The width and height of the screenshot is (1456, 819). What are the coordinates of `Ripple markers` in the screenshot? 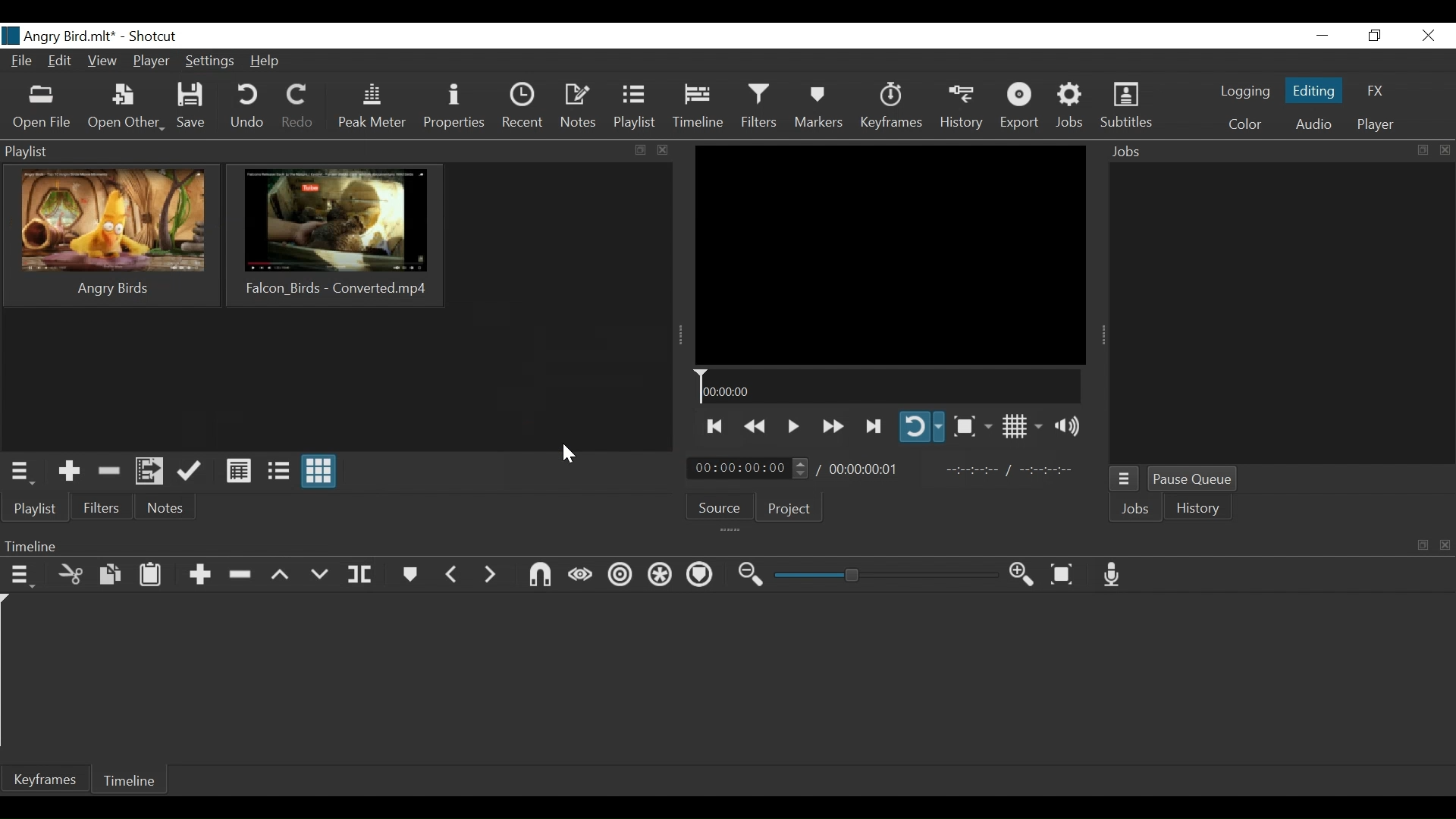 It's located at (701, 576).